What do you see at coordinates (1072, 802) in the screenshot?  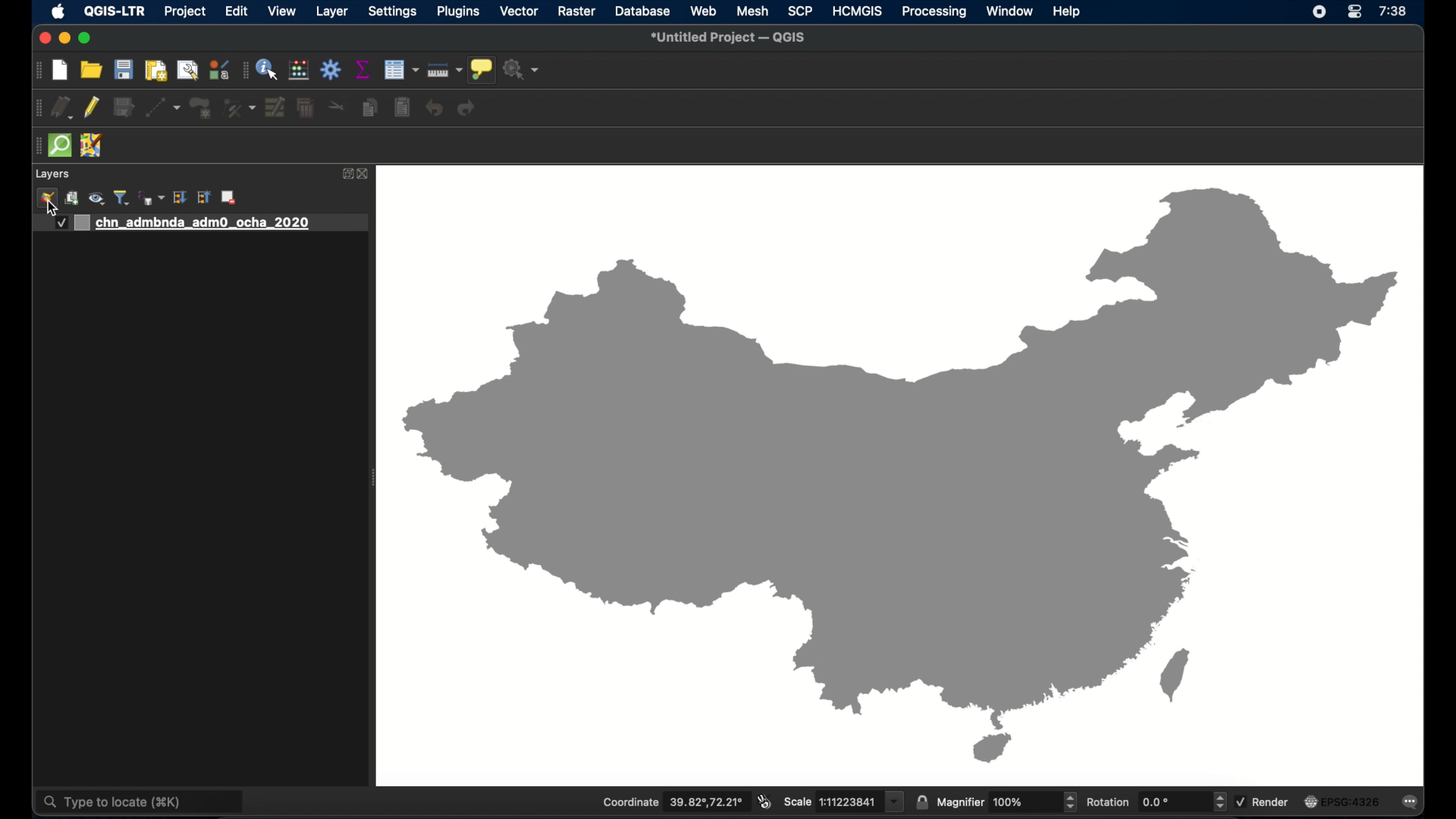 I see `Increase/decrease arrow` at bounding box center [1072, 802].